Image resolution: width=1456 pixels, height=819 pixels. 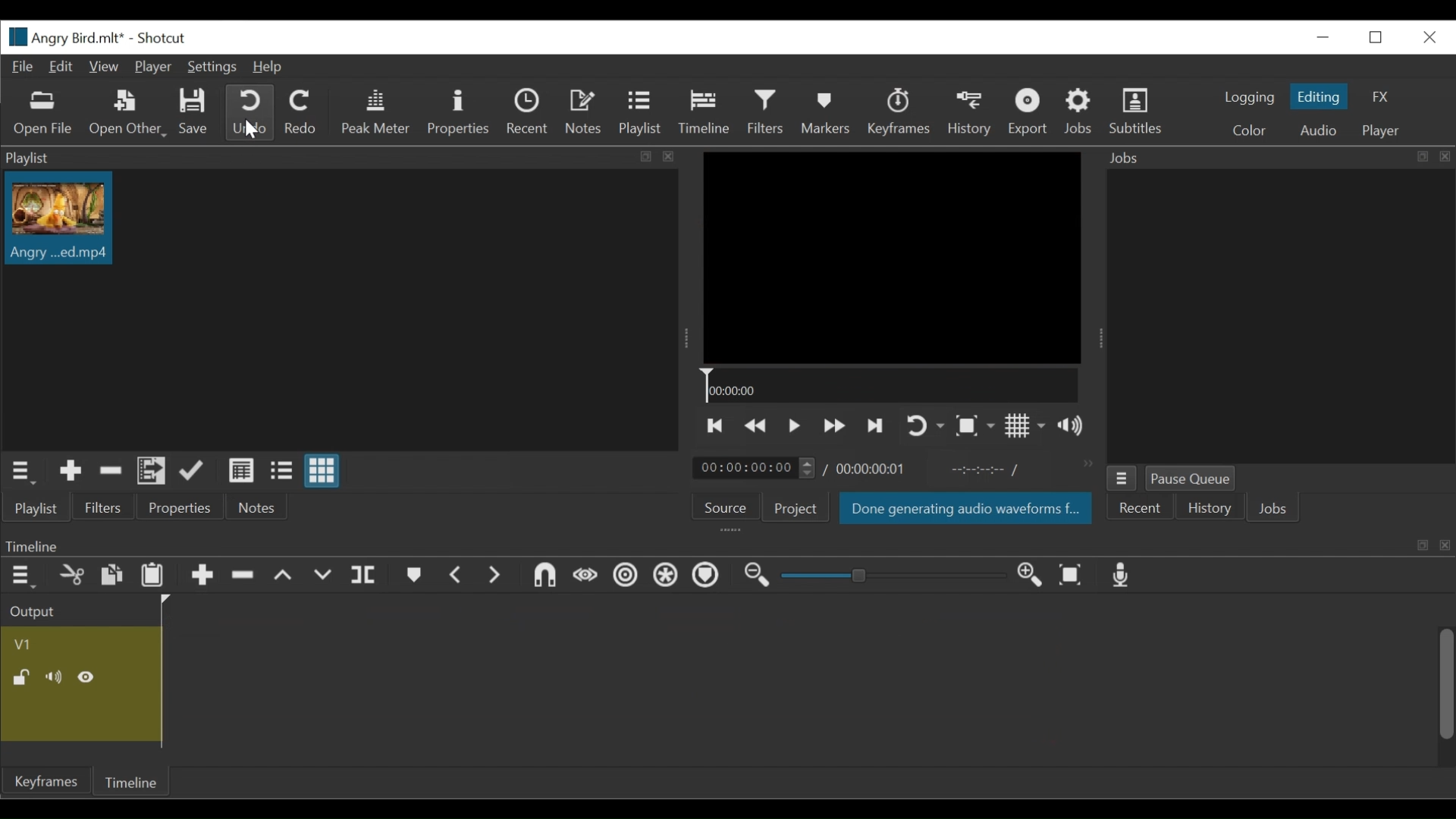 What do you see at coordinates (243, 576) in the screenshot?
I see `Ripple delete` at bounding box center [243, 576].